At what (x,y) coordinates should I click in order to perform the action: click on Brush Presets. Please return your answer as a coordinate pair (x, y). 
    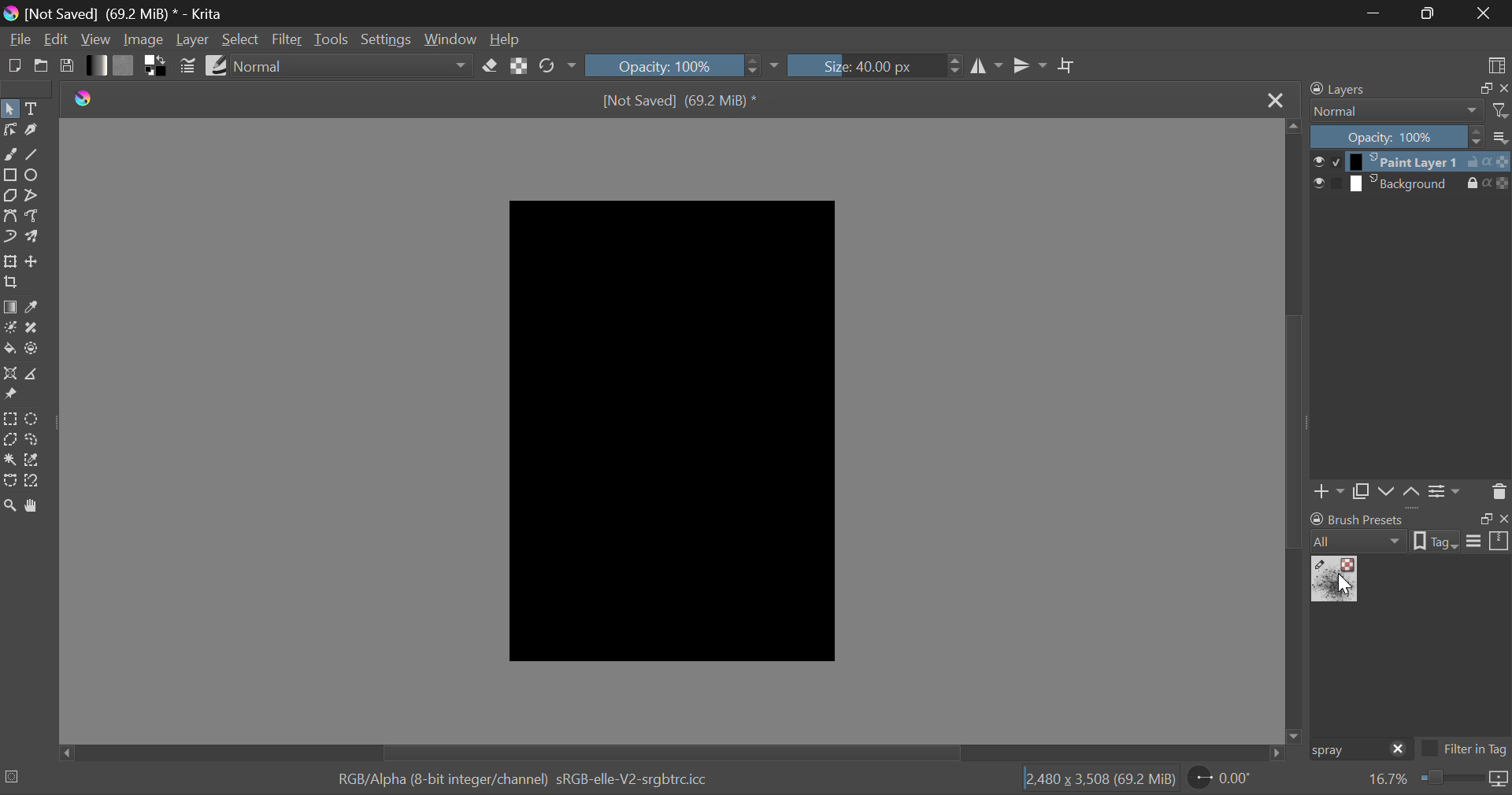
    Looking at the image, I should click on (217, 66).